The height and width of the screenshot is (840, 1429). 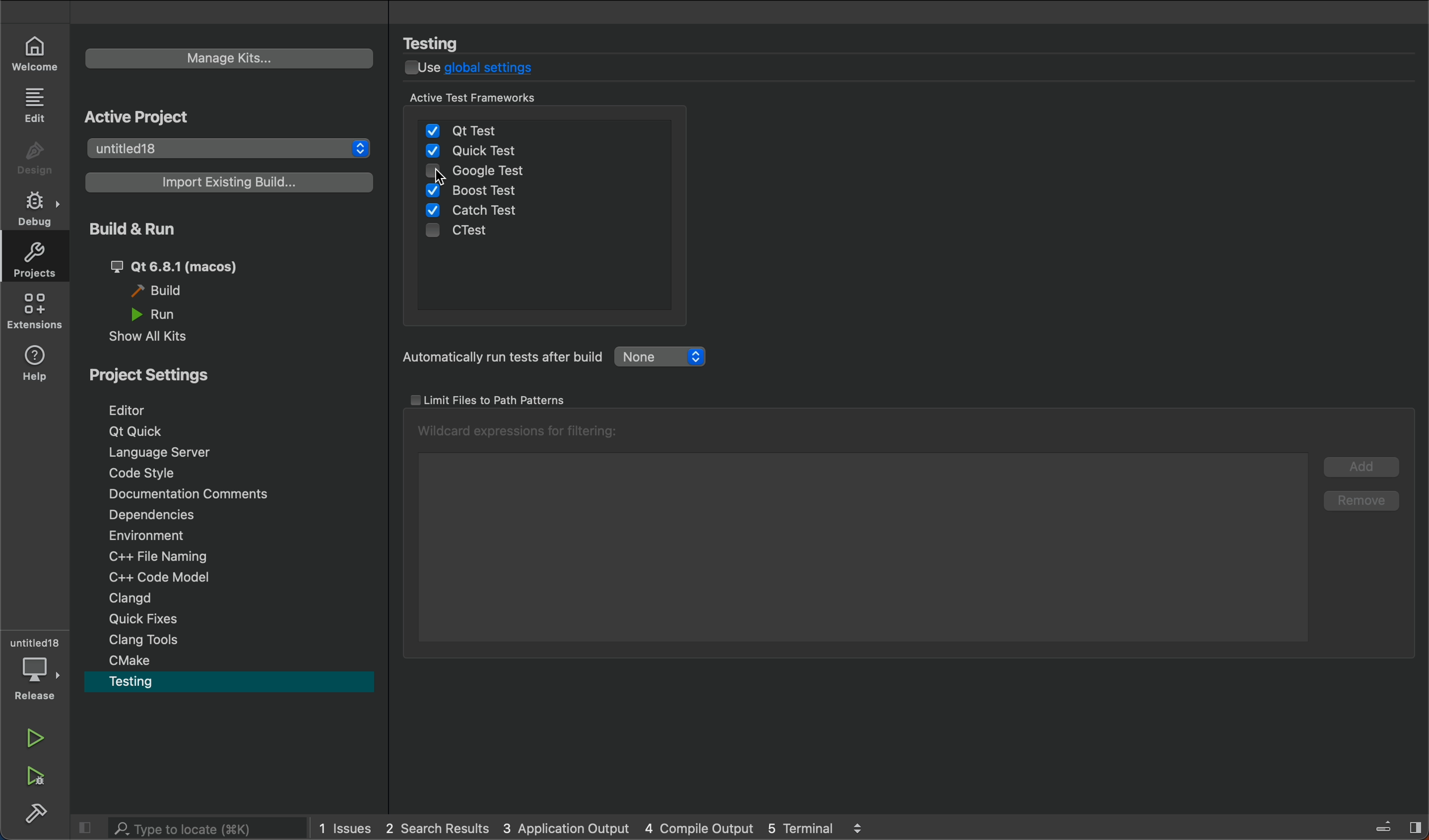 What do you see at coordinates (32, 52) in the screenshot?
I see `welcome` at bounding box center [32, 52].